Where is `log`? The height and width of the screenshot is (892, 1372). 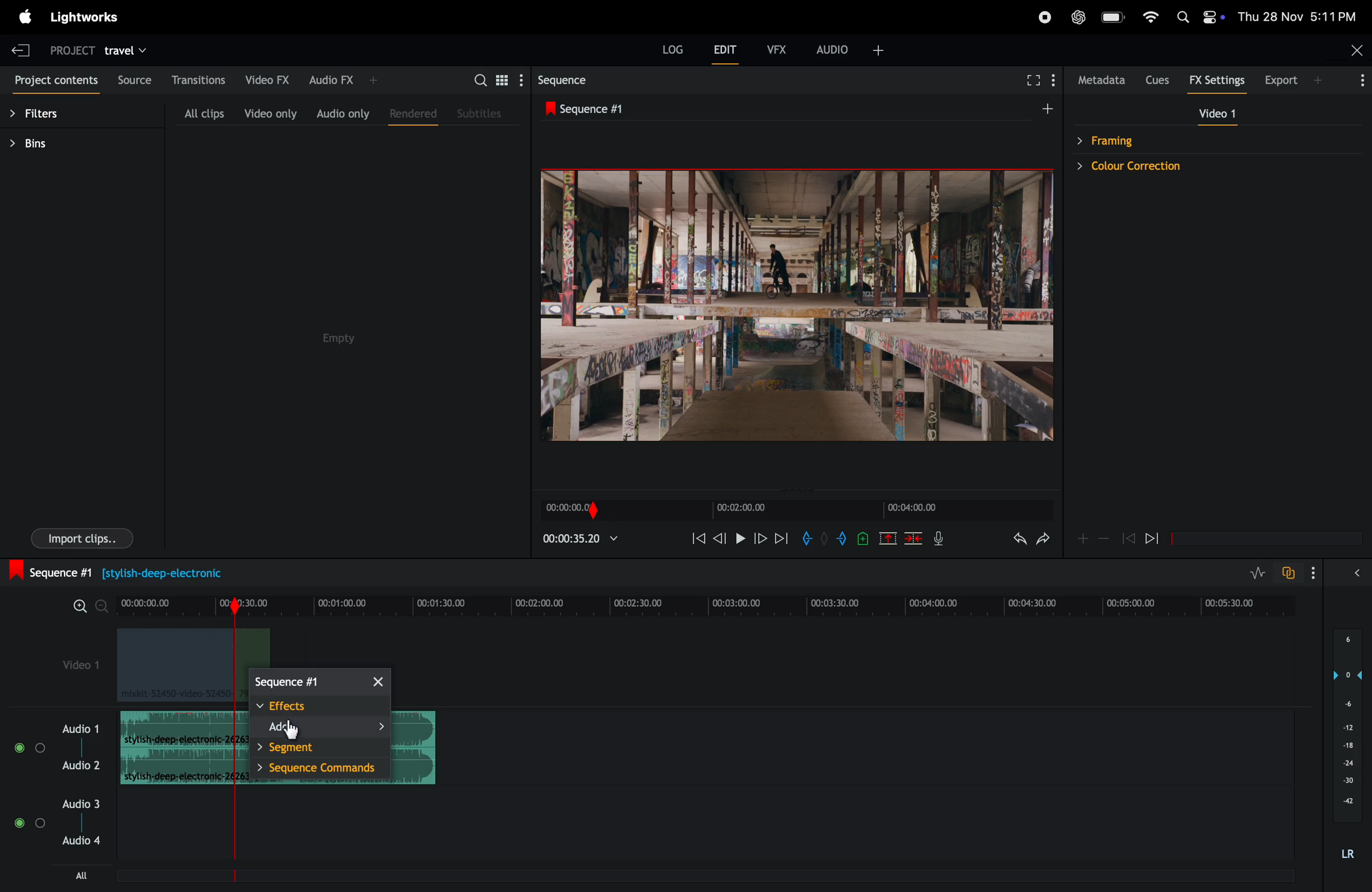 log is located at coordinates (670, 48).